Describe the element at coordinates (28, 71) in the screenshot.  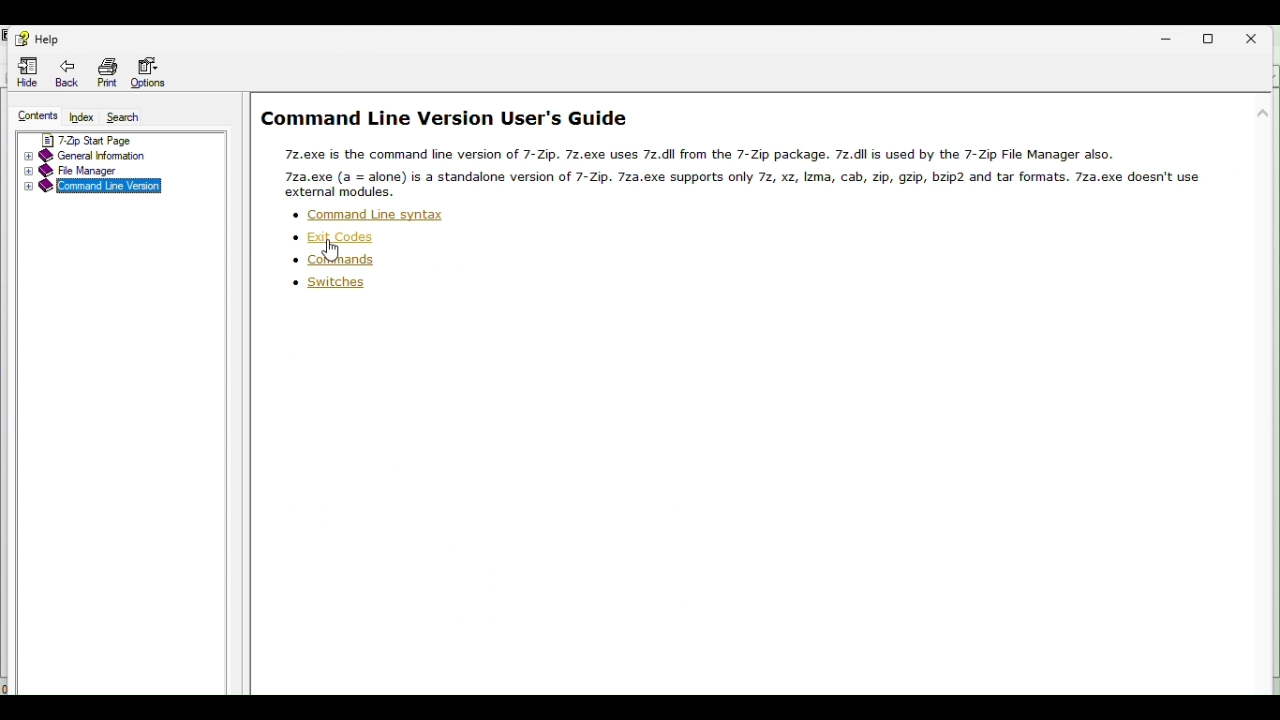
I see `hide` at that location.